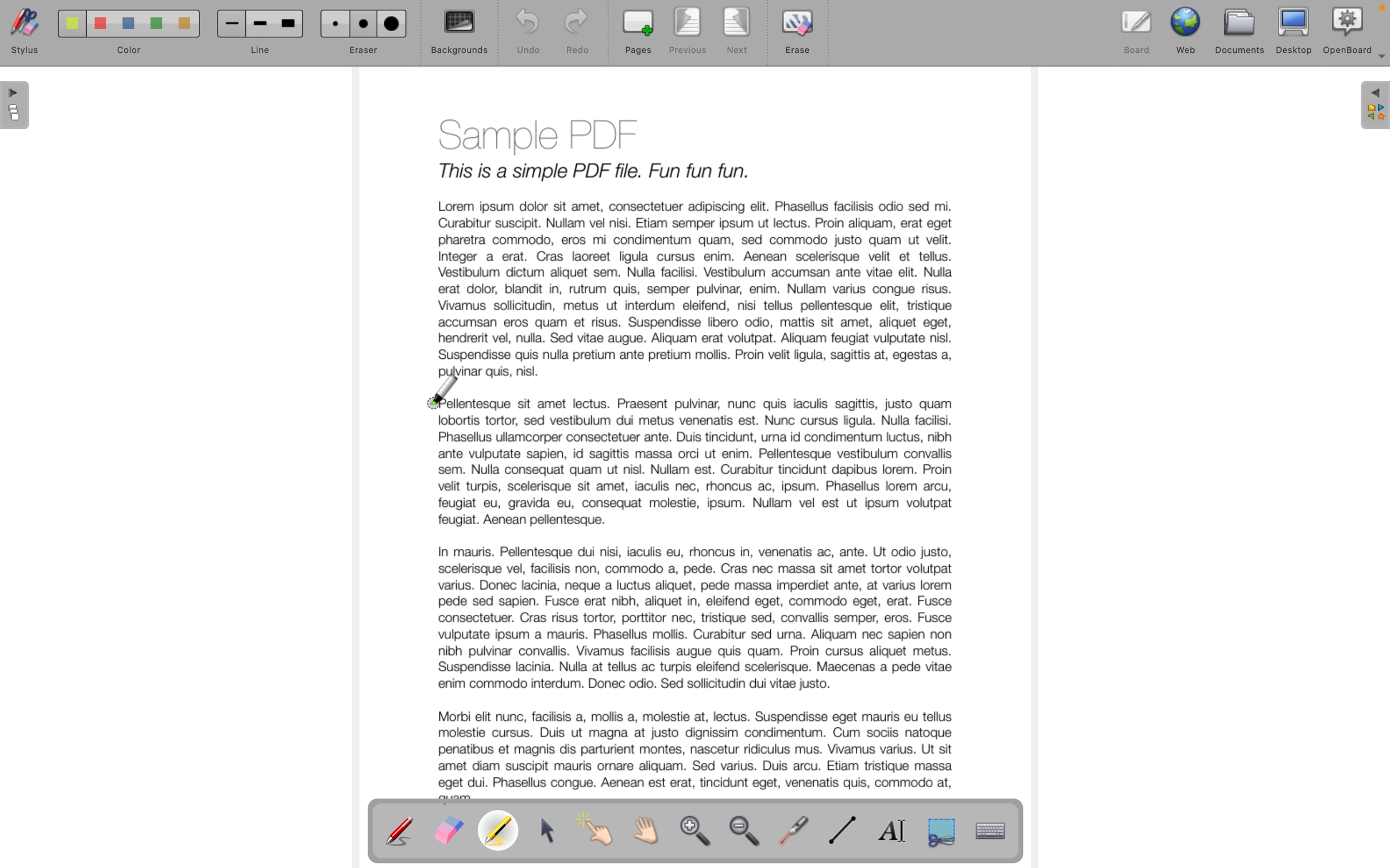  Describe the element at coordinates (460, 33) in the screenshot. I see `backgrounds` at that location.